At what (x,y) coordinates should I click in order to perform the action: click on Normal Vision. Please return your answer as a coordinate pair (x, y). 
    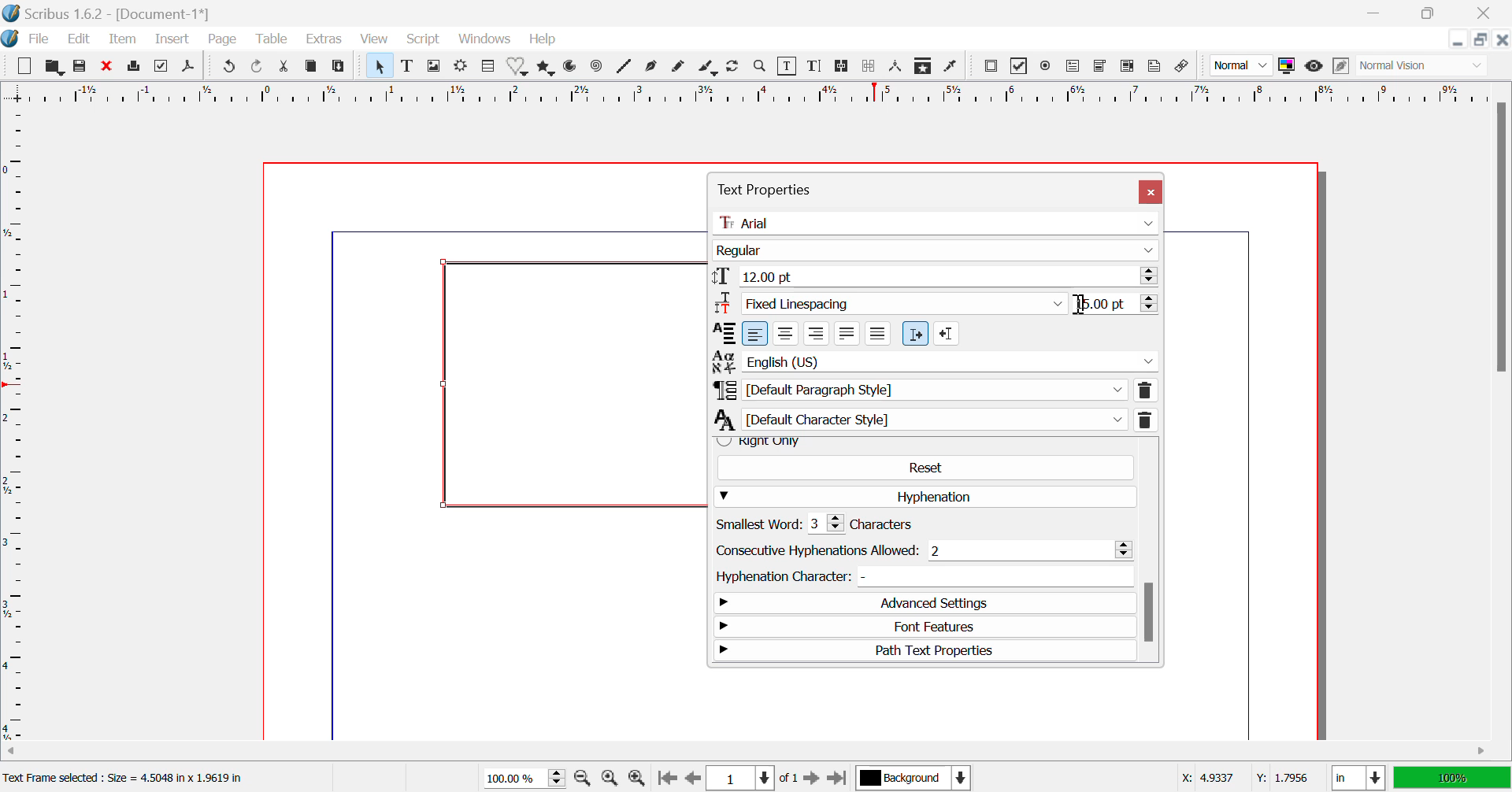
    Looking at the image, I should click on (1425, 67).